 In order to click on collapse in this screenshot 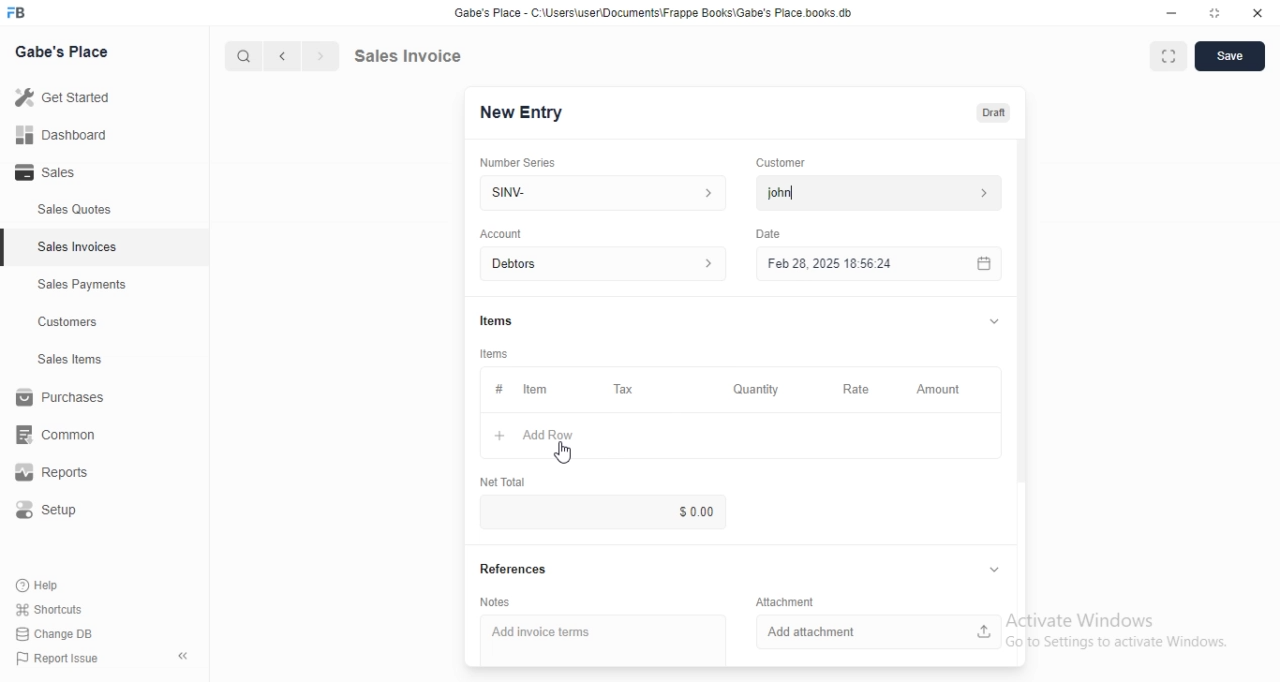, I will do `click(990, 570)`.